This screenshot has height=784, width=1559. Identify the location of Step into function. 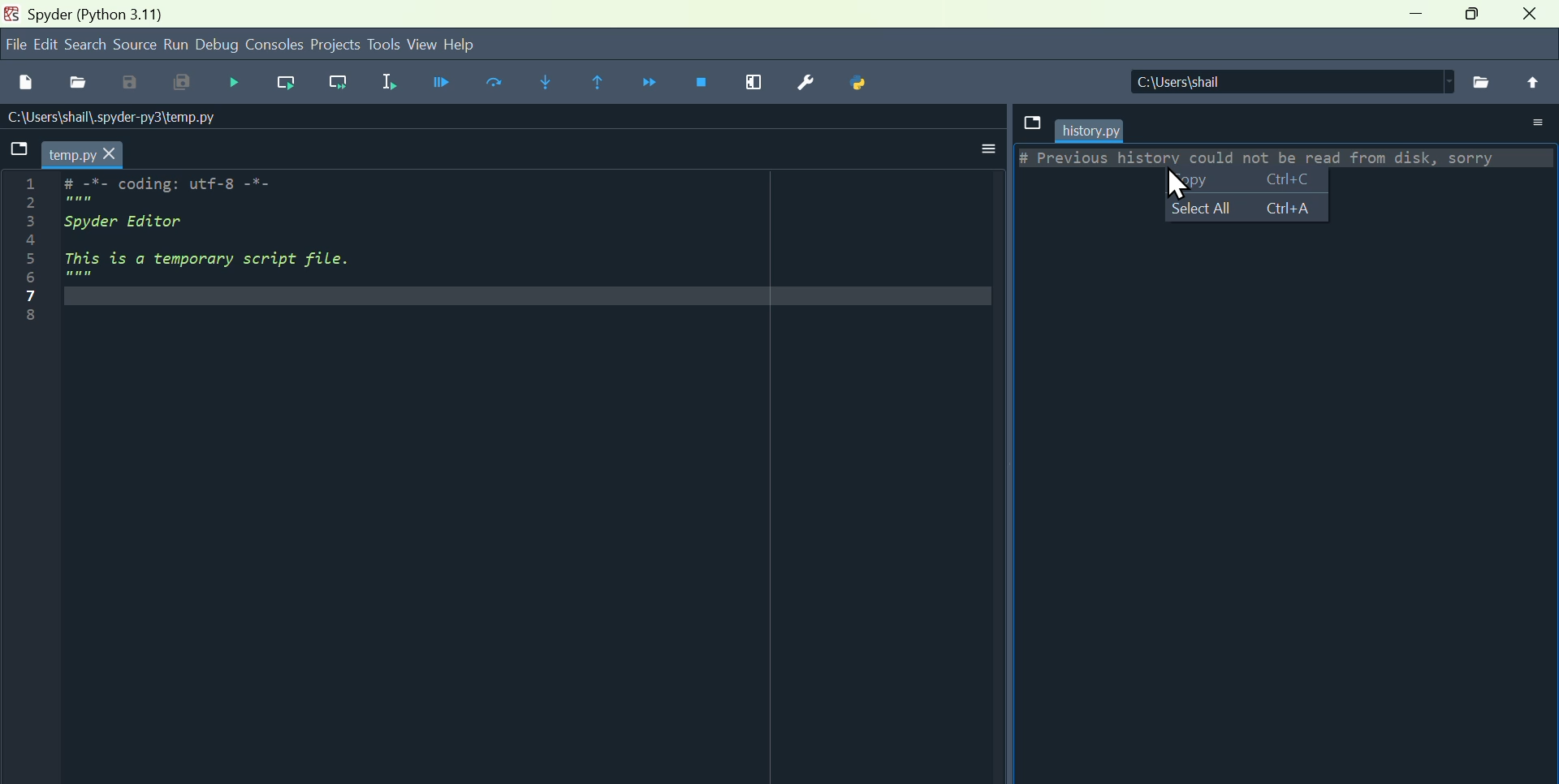
(551, 84).